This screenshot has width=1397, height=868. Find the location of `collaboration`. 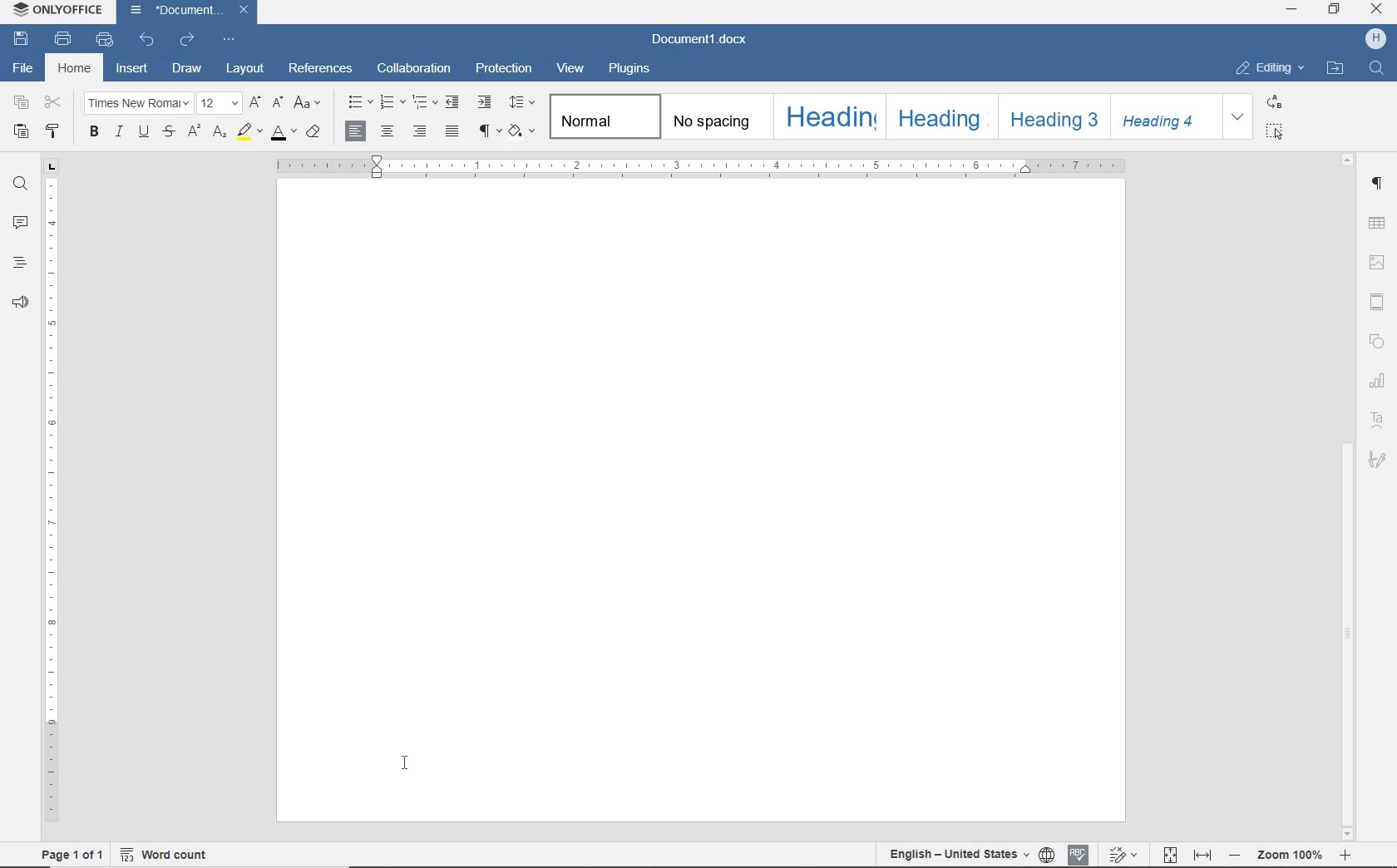

collaboration is located at coordinates (412, 70).